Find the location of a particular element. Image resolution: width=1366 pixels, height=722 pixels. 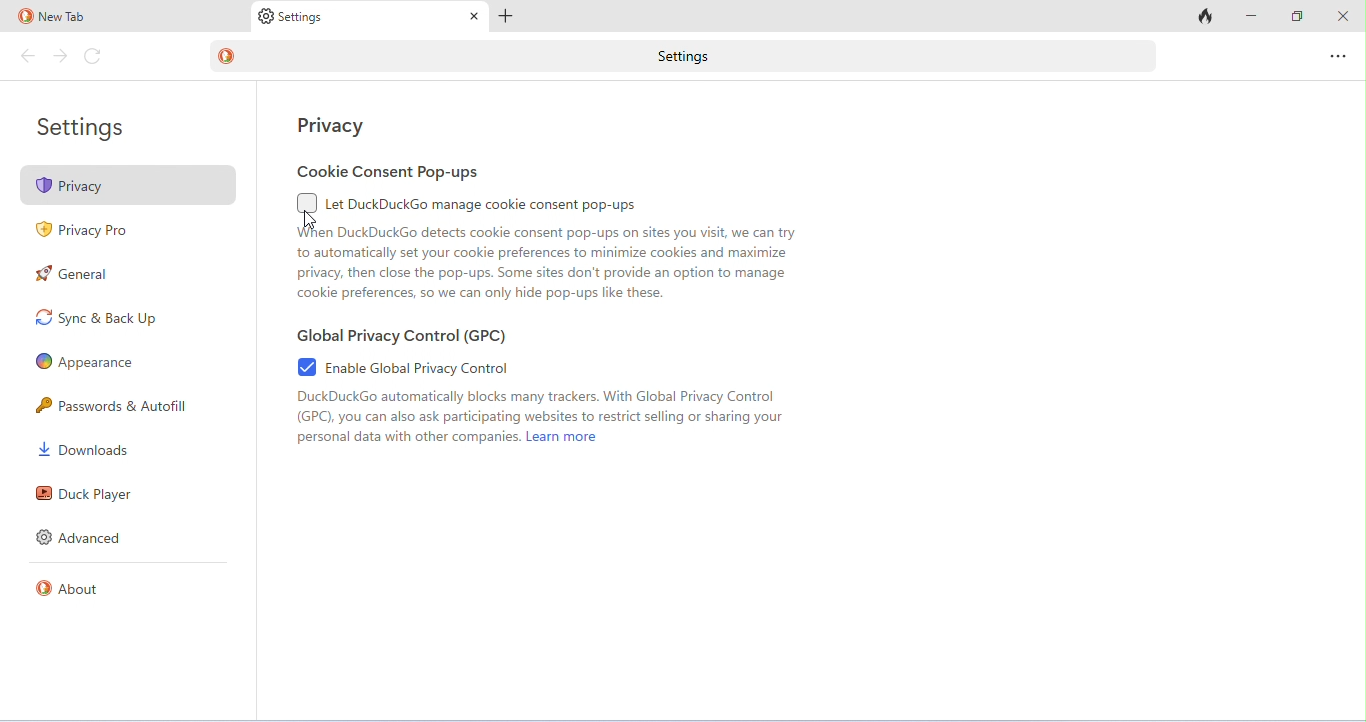

refresh is located at coordinates (94, 57).